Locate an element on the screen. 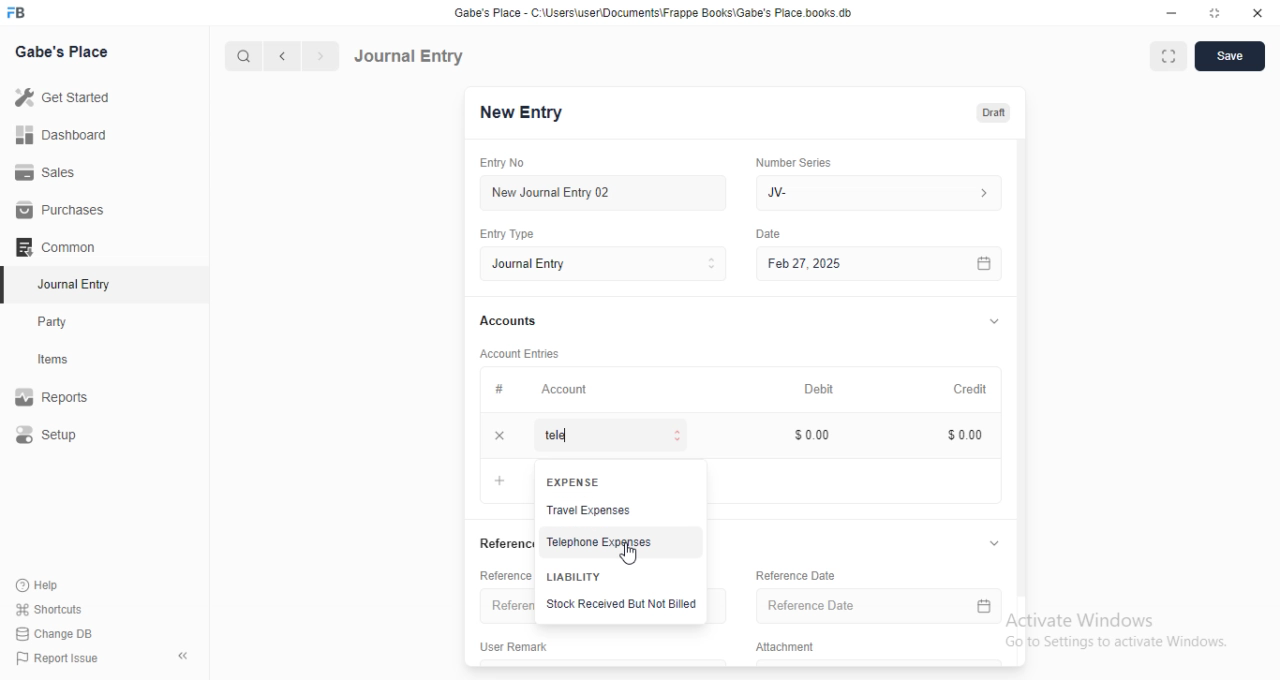 This screenshot has width=1280, height=680. Hide is located at coordinates (990, 544).